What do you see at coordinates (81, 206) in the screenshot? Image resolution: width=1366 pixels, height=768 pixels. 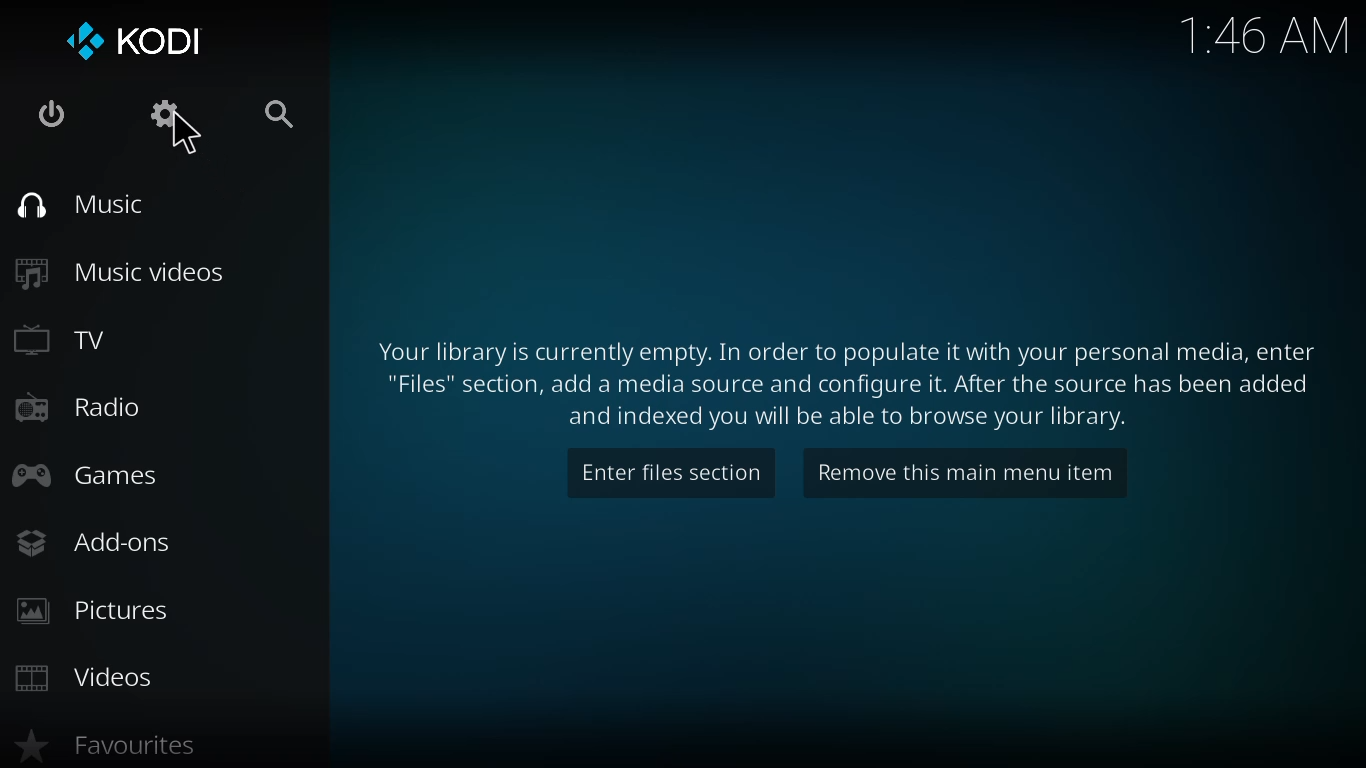 I see `music` at bounding box center [81, 206].